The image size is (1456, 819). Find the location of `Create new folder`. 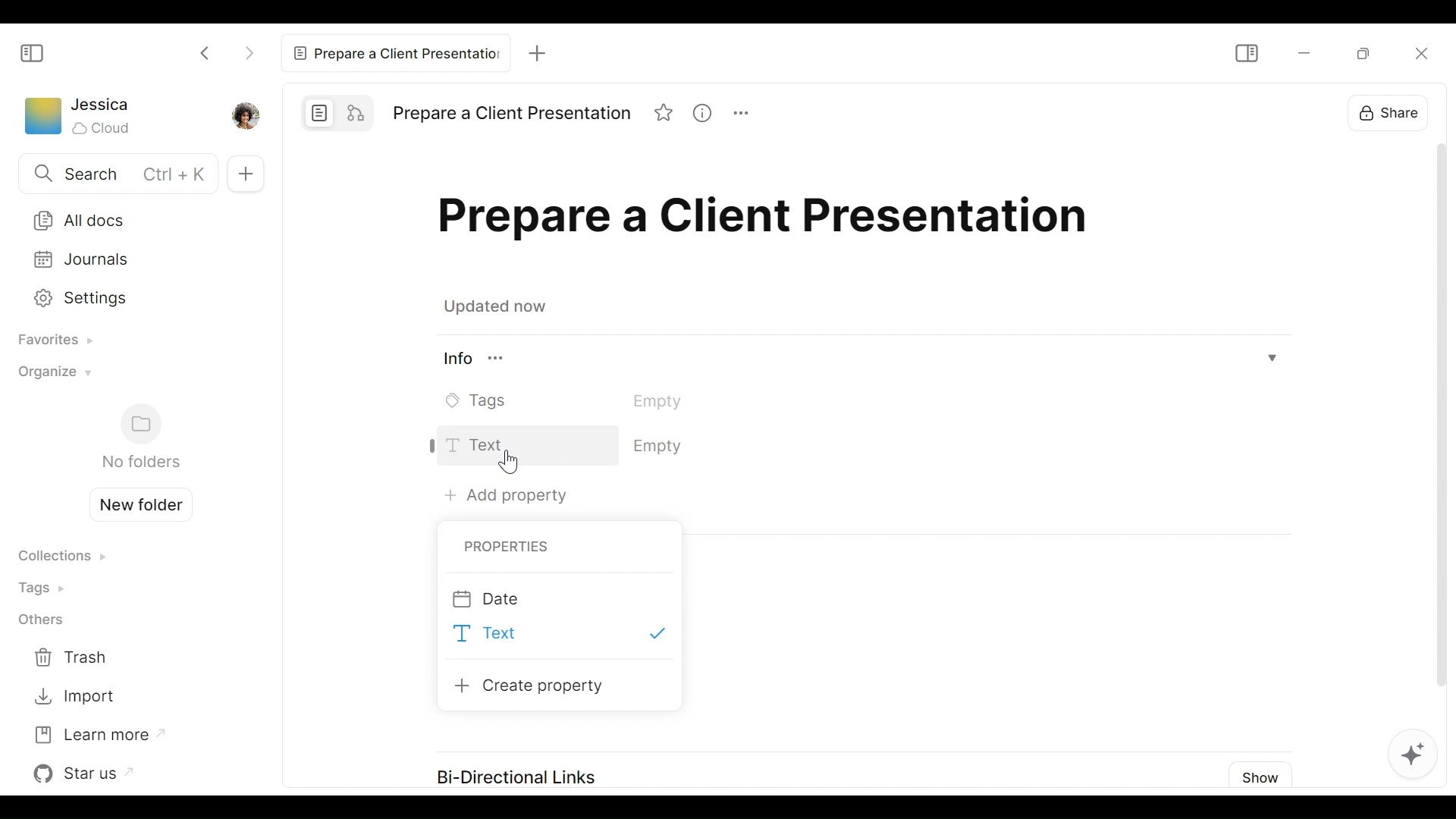

Create new folder is located at coordinates (135, 503).